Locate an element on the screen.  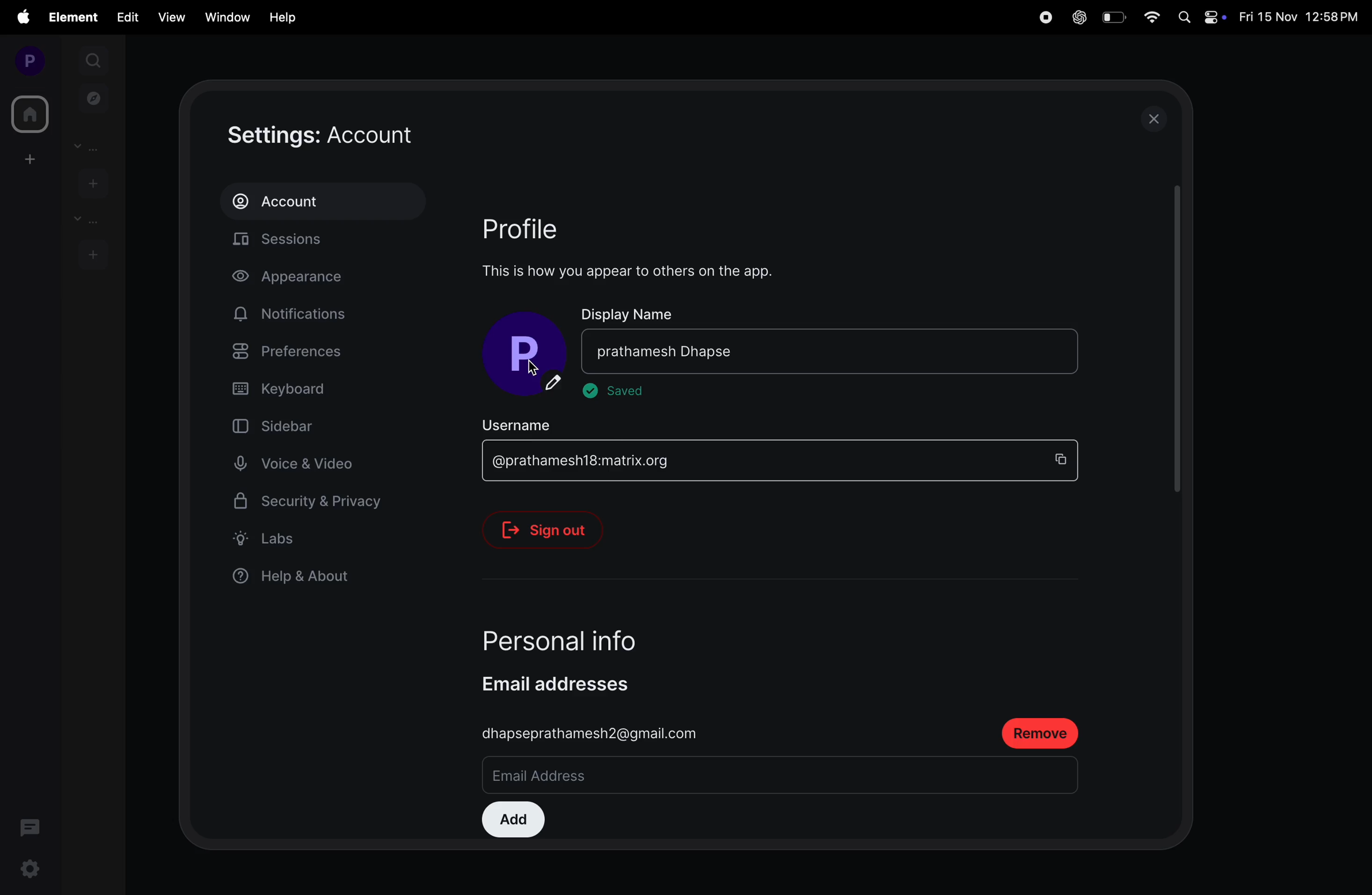
add people is located at coordinates (91, 182).